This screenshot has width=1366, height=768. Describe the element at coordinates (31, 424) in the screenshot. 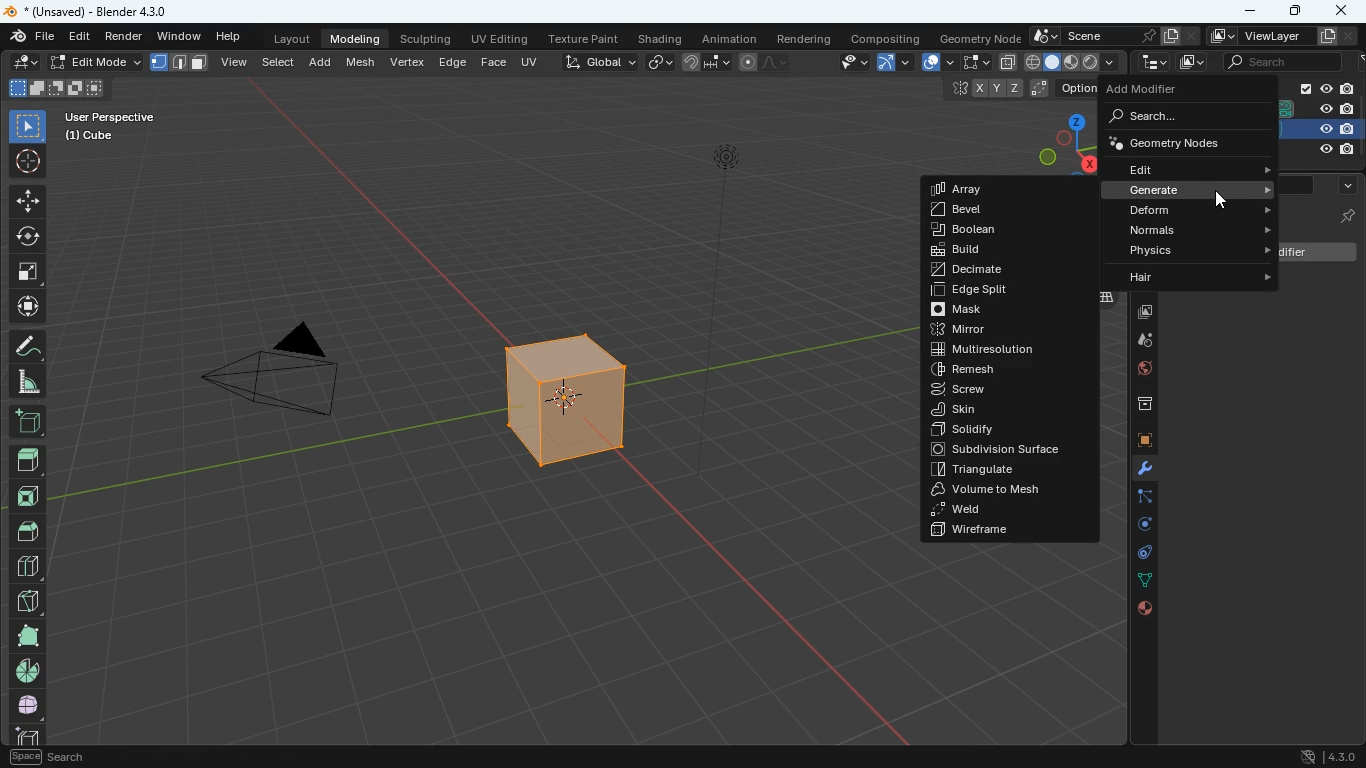

I see `add` at that location.